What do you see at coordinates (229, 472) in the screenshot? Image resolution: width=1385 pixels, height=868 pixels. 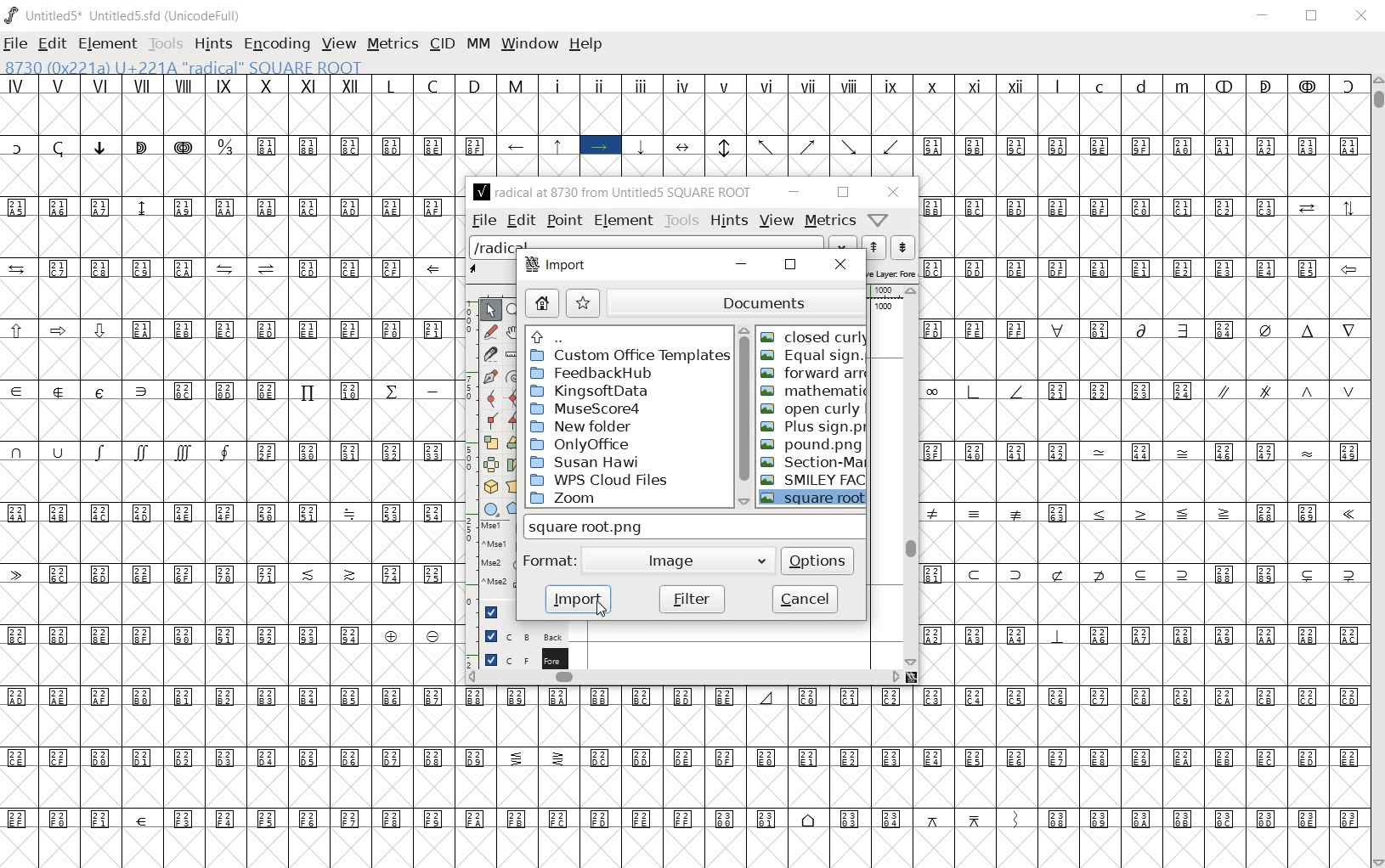 I see `Glyph characters` at bounding box center [229, 472].